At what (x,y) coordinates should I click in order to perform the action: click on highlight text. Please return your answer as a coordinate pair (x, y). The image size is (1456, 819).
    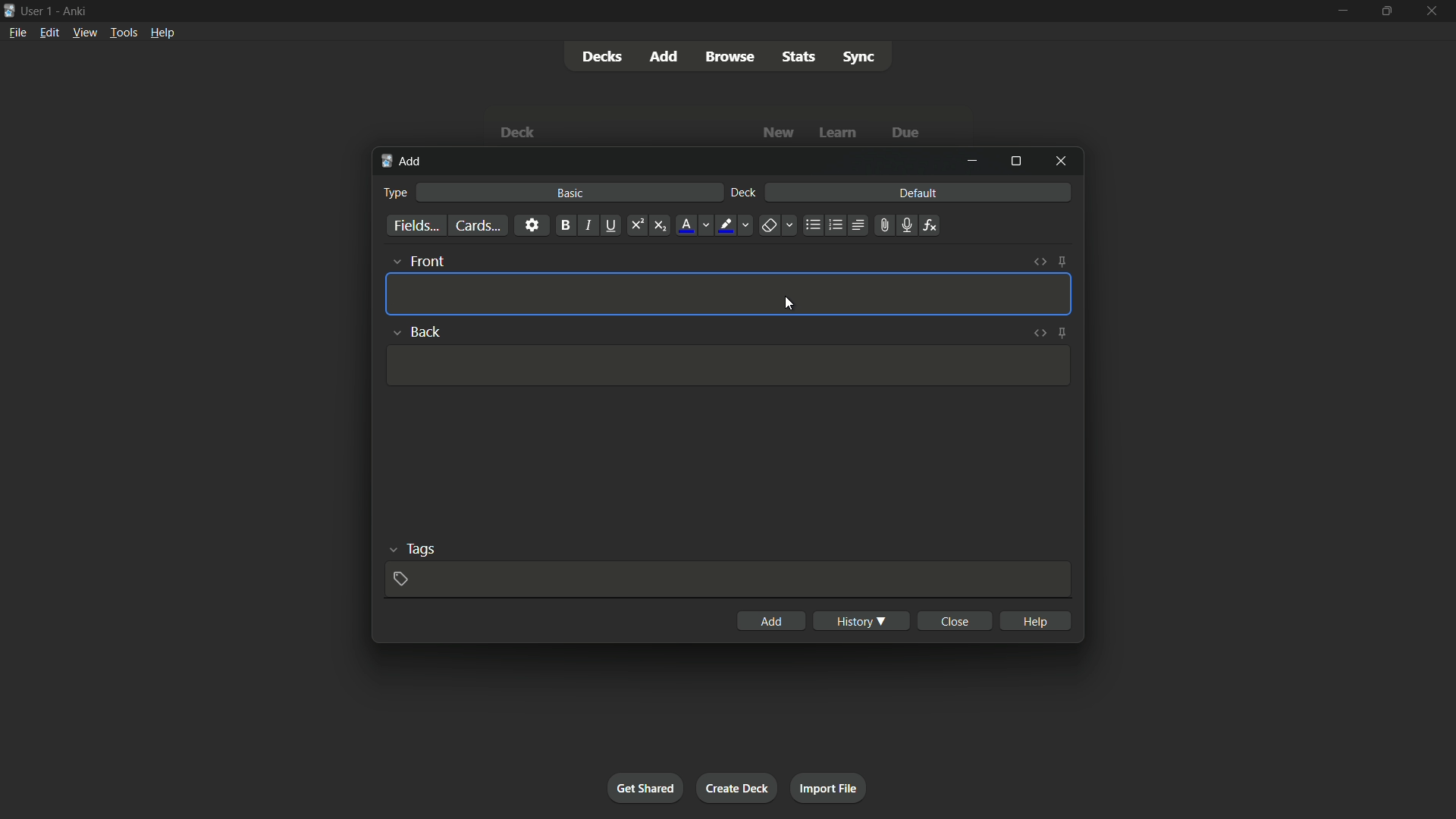
    Looking at the image, I should click on (723, 226).